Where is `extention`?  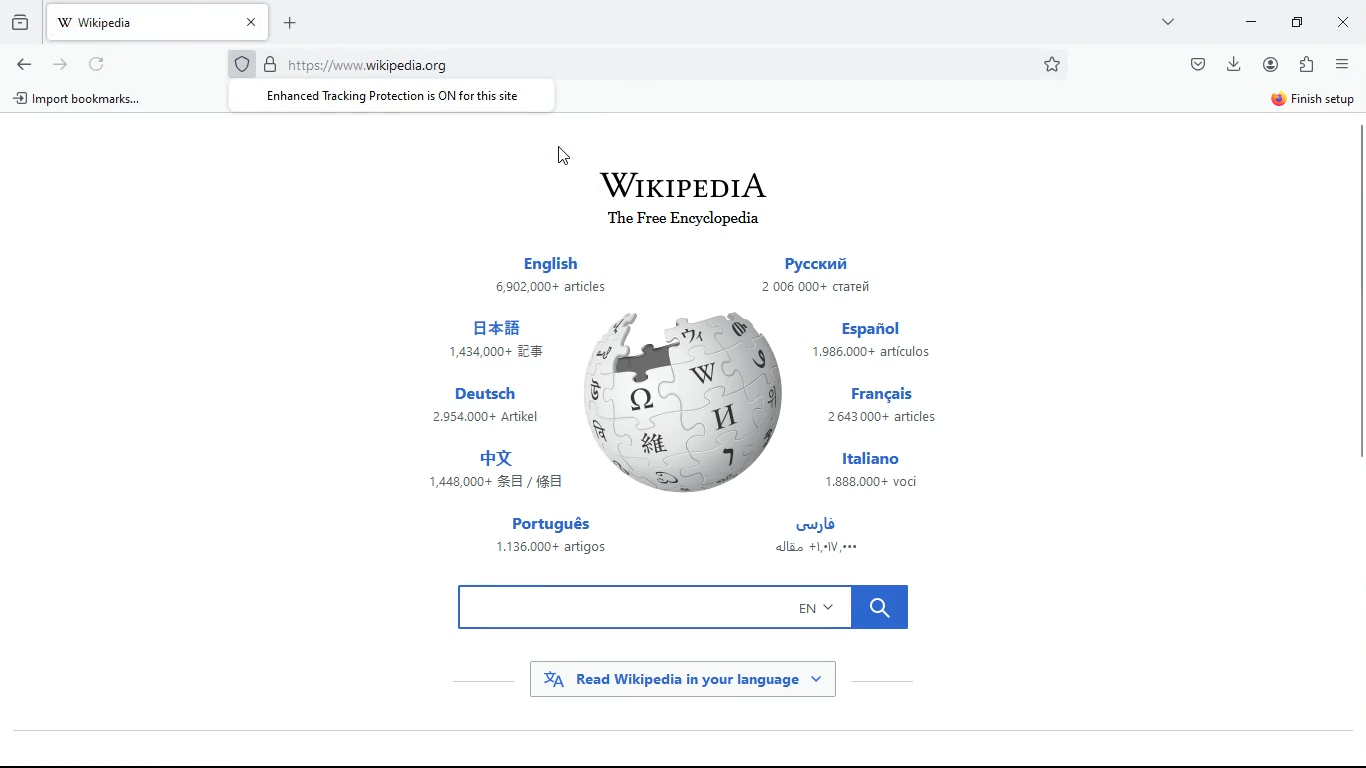 extention is located at coordinates (1308, 64).